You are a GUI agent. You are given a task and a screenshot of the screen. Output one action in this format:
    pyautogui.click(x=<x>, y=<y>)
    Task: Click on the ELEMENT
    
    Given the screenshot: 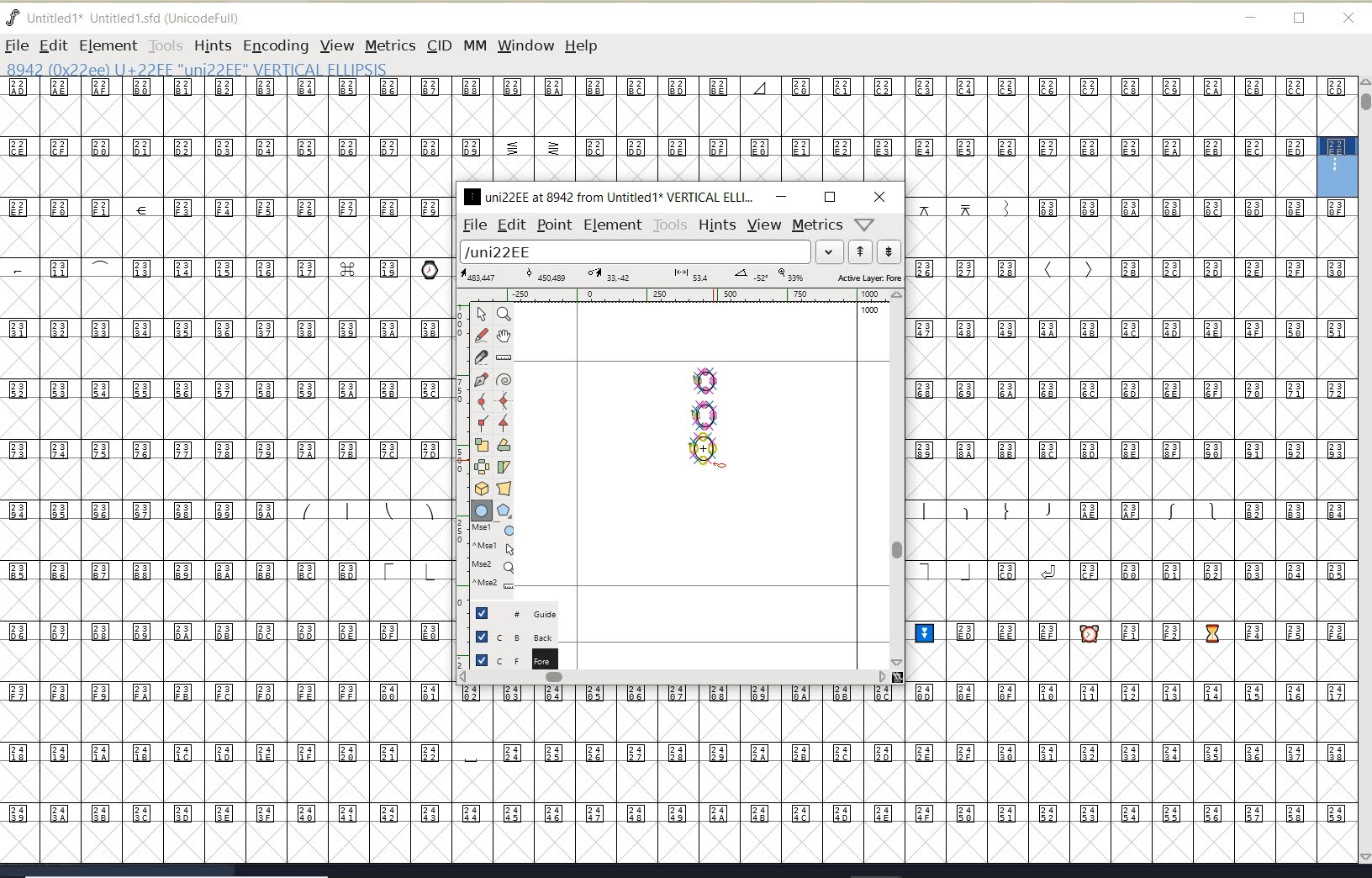 What is the action you would take?
    pyautogui.click(x=108, y=45)
    